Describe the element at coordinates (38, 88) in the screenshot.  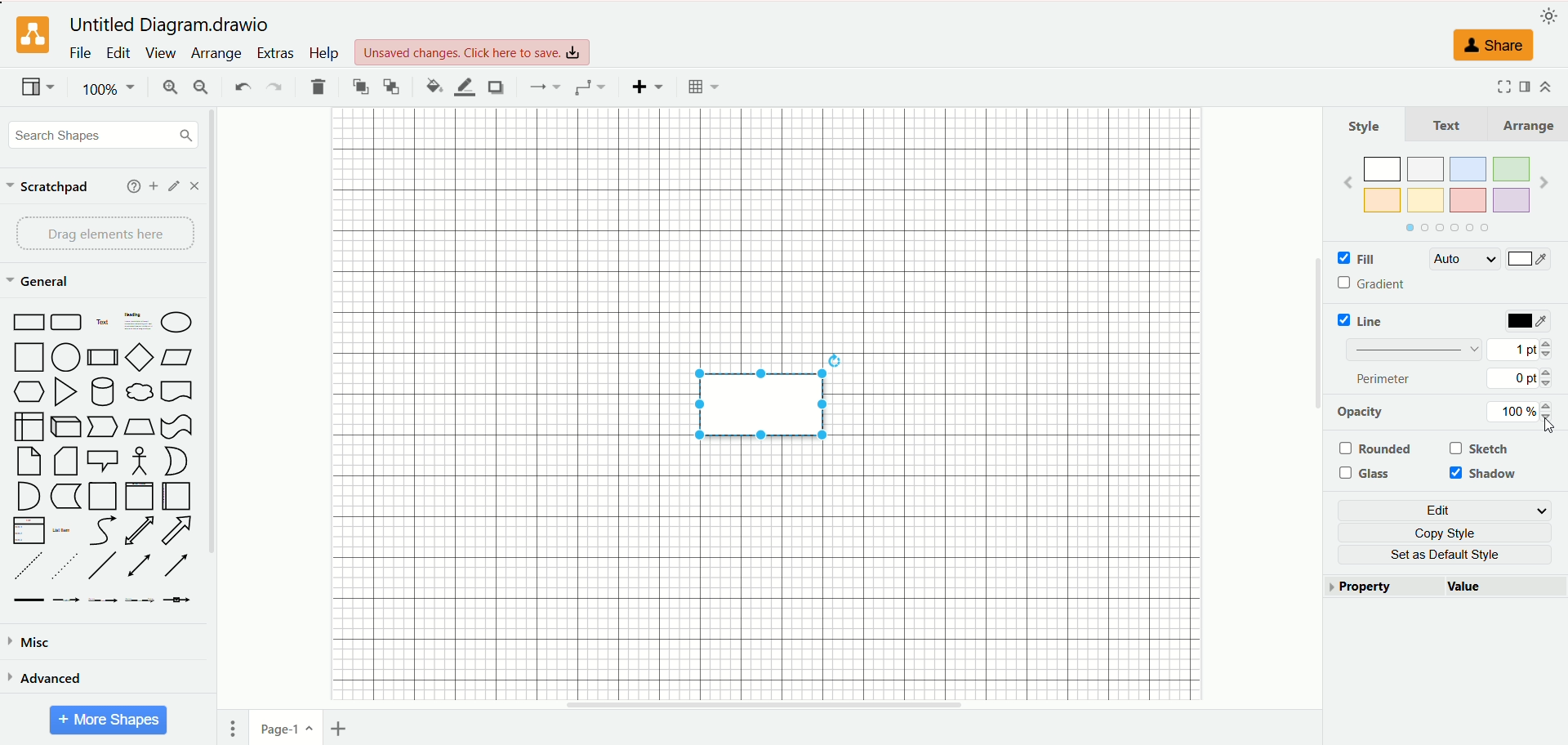
I see `view` at that location.